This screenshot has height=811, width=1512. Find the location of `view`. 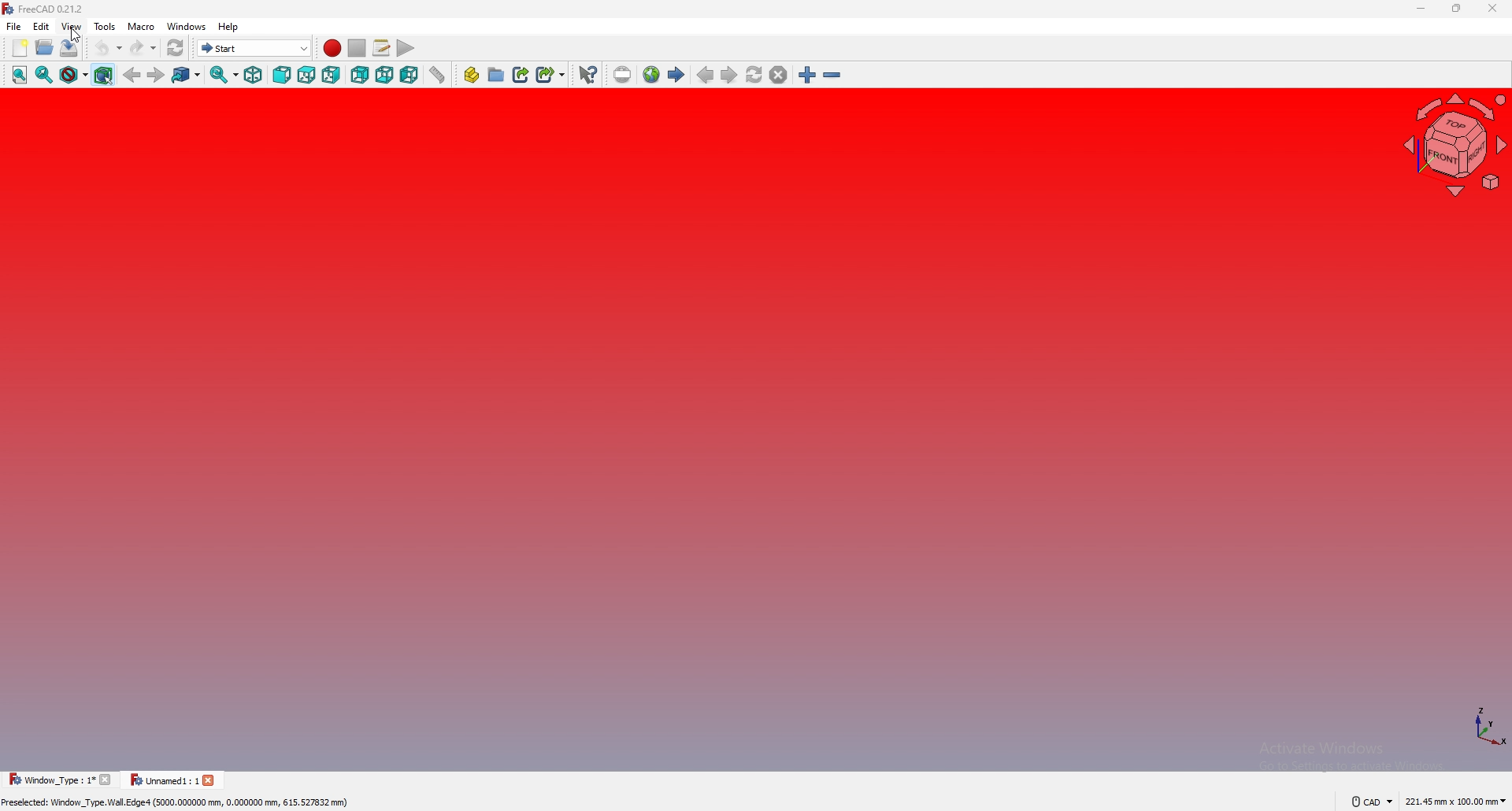

view is located at coordinates (72, 26).